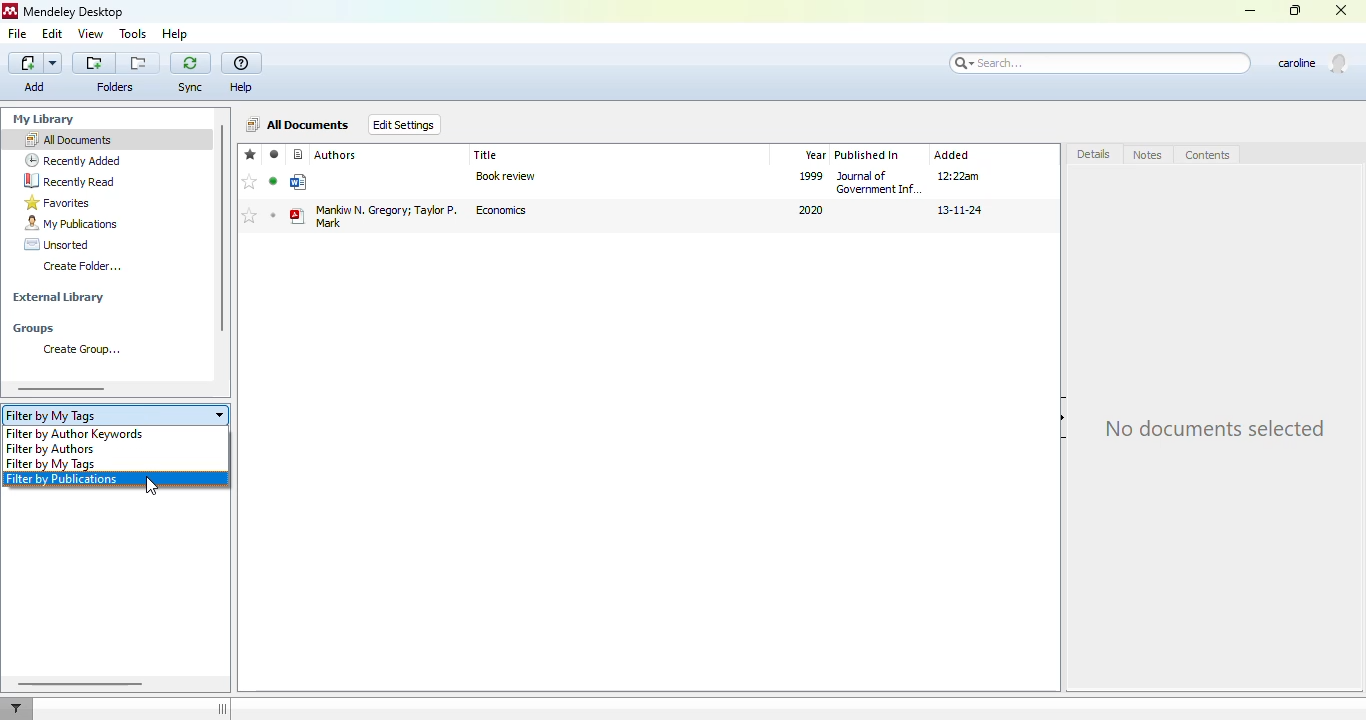 The height and width of the screenshot is (720, 1366). I want to click on logo, so click(10, 11).